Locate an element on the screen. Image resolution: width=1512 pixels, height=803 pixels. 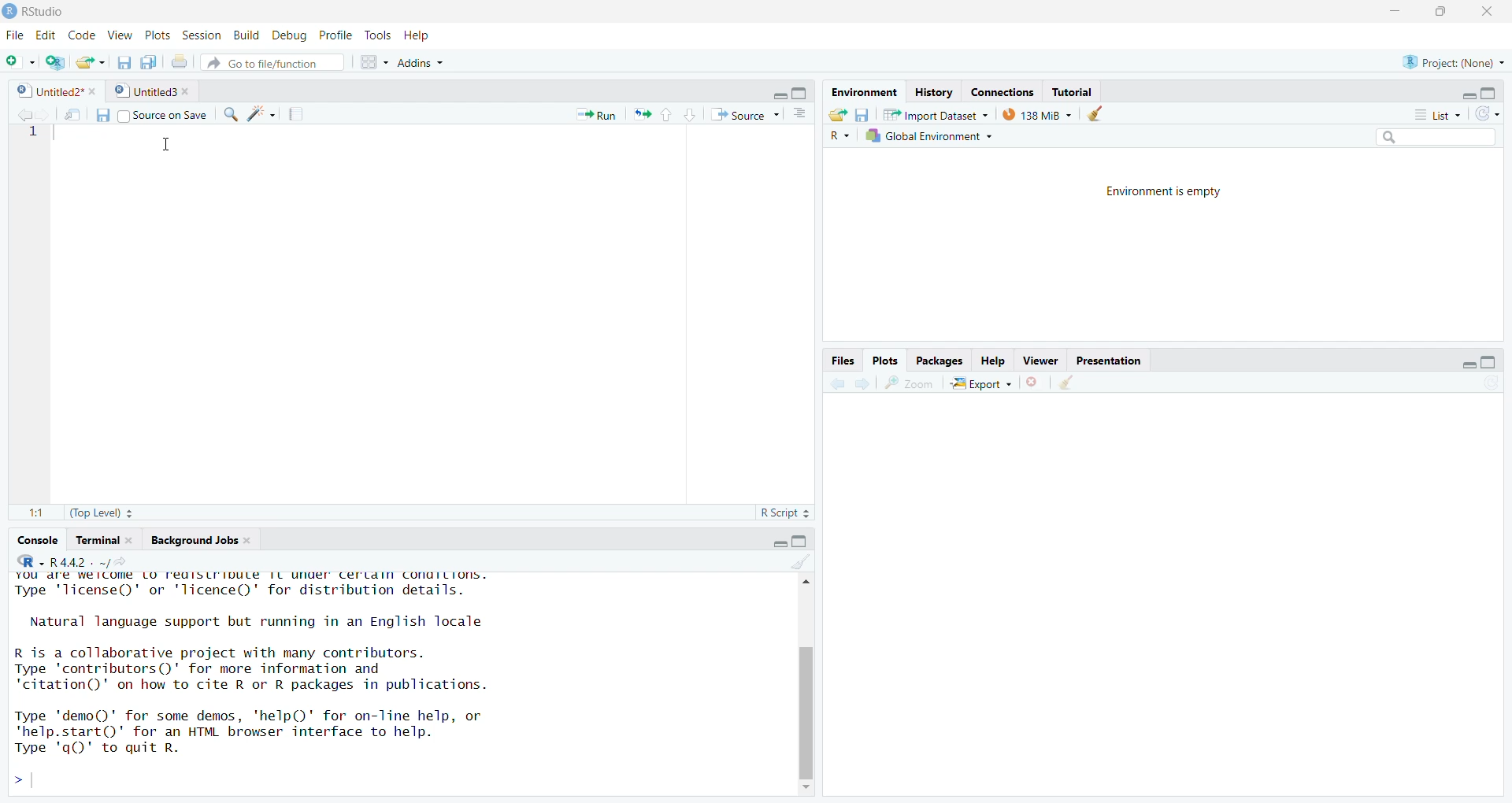
clear console is located at coordinates (791, 562).